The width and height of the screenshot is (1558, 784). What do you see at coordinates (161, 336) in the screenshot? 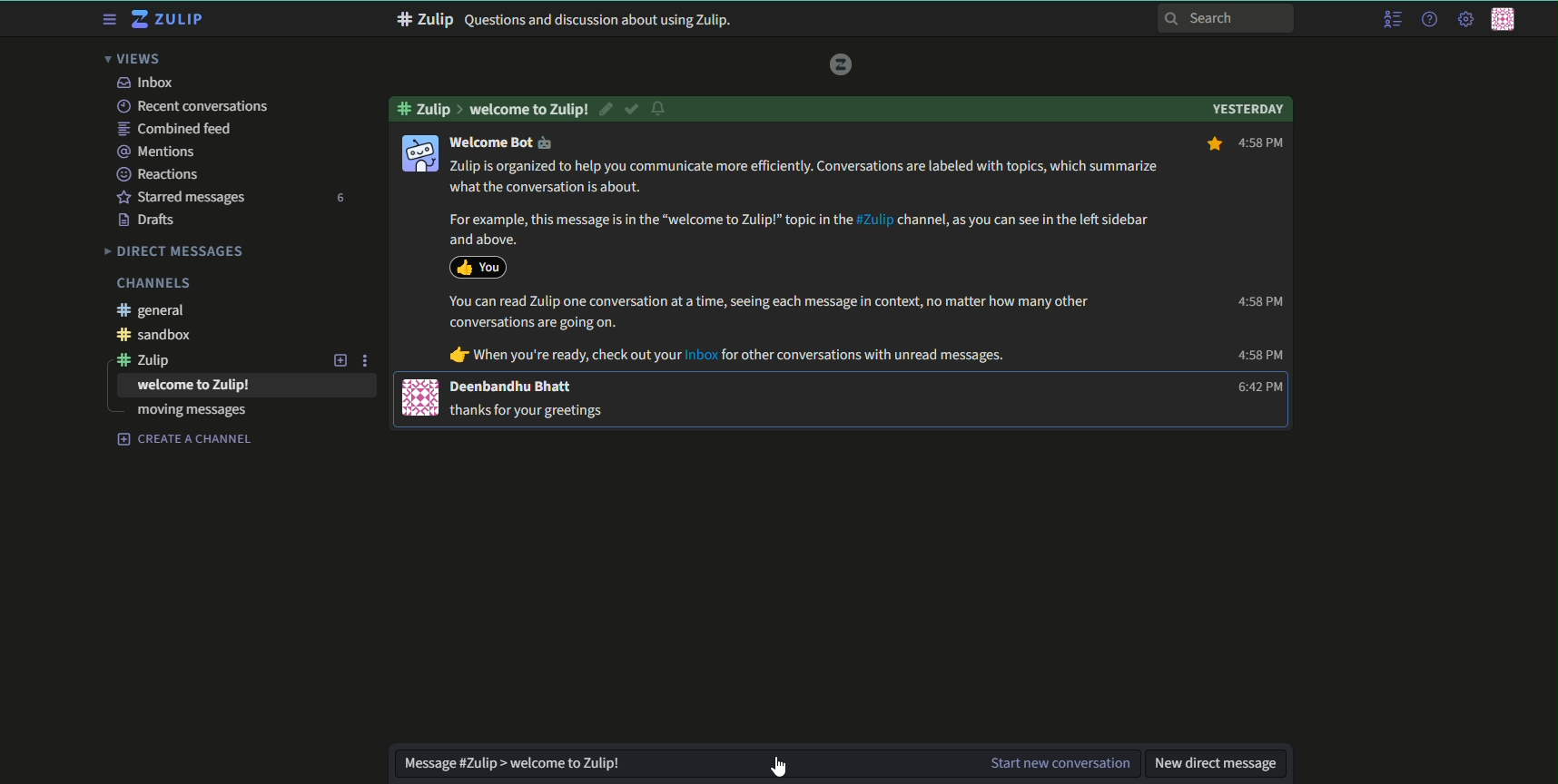
I see `#sandbox` at bounding box center [161, 336].